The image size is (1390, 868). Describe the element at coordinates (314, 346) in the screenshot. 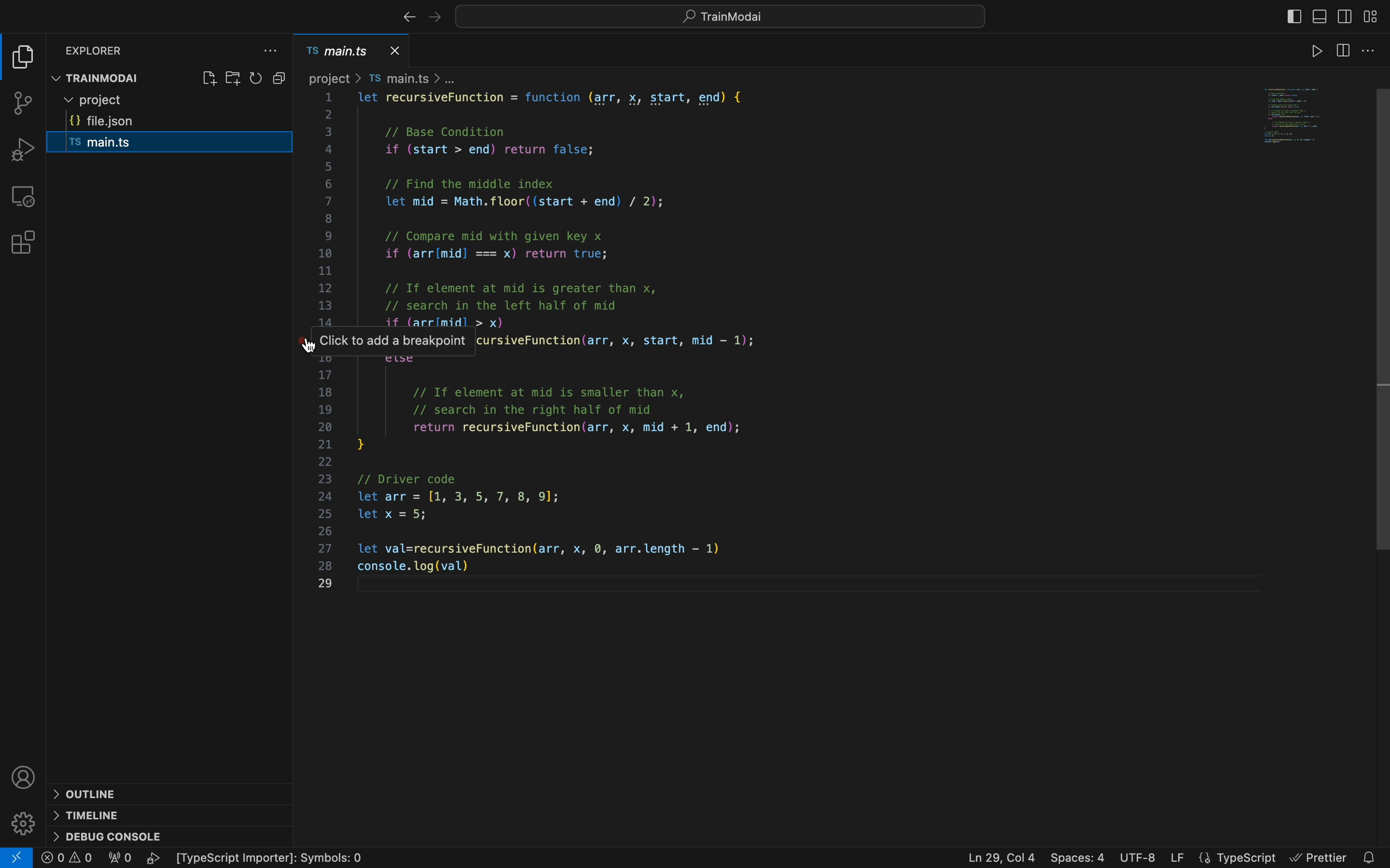

I see `Cursor` at that location.